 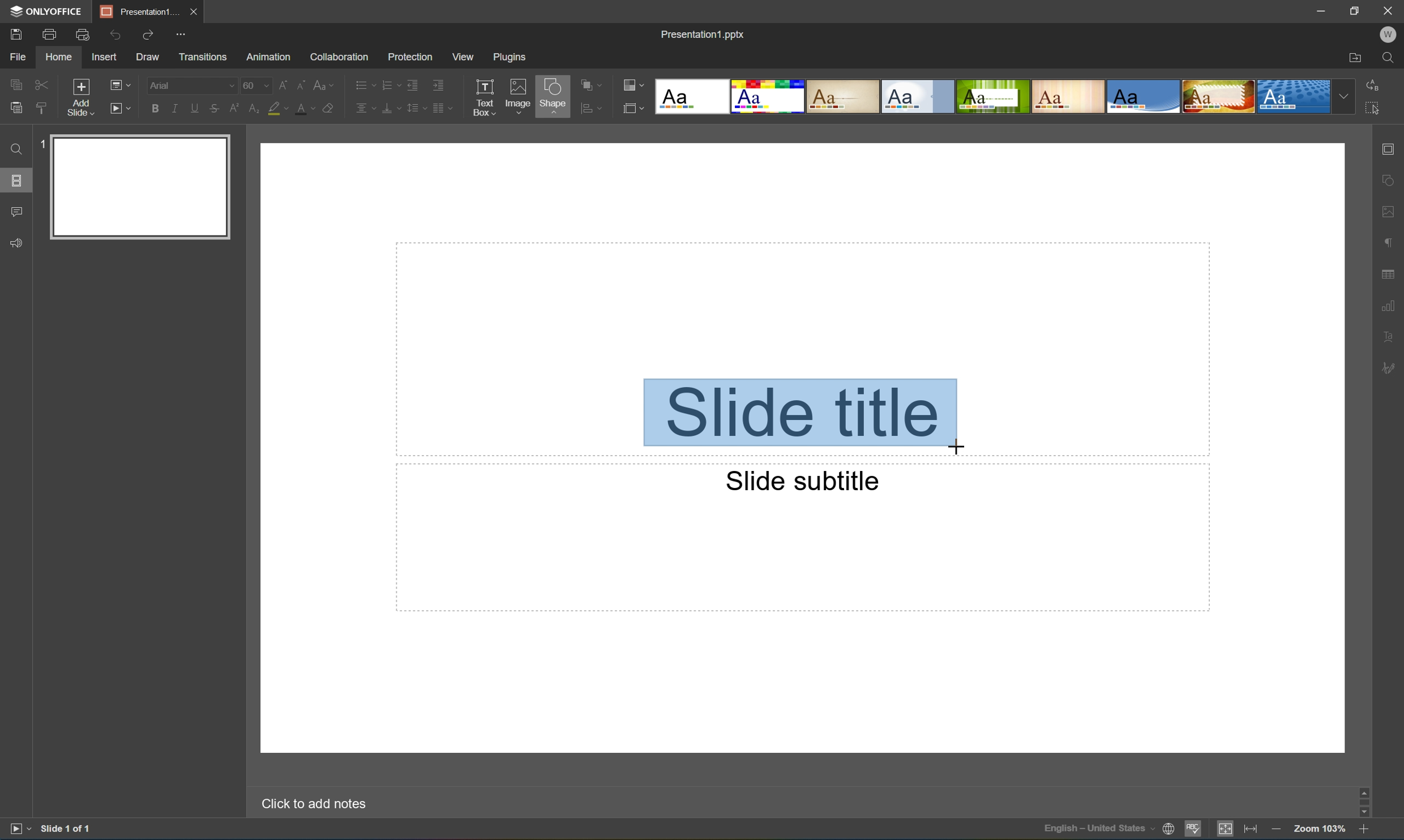 I want to click on Arrange shape, so click(x=590, y=86).